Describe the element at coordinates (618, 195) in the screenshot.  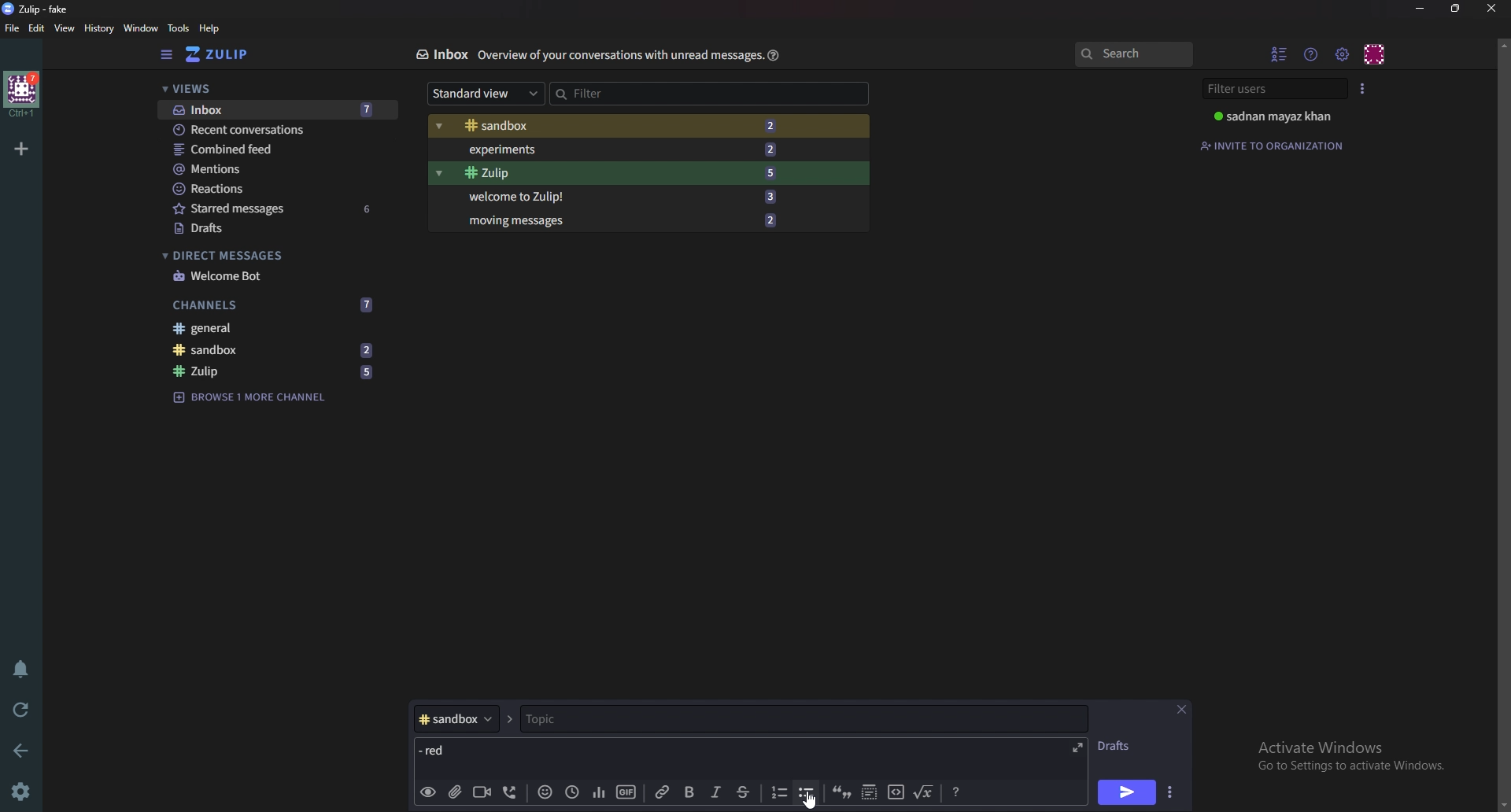
I see `Welcome to zulip` at that location.